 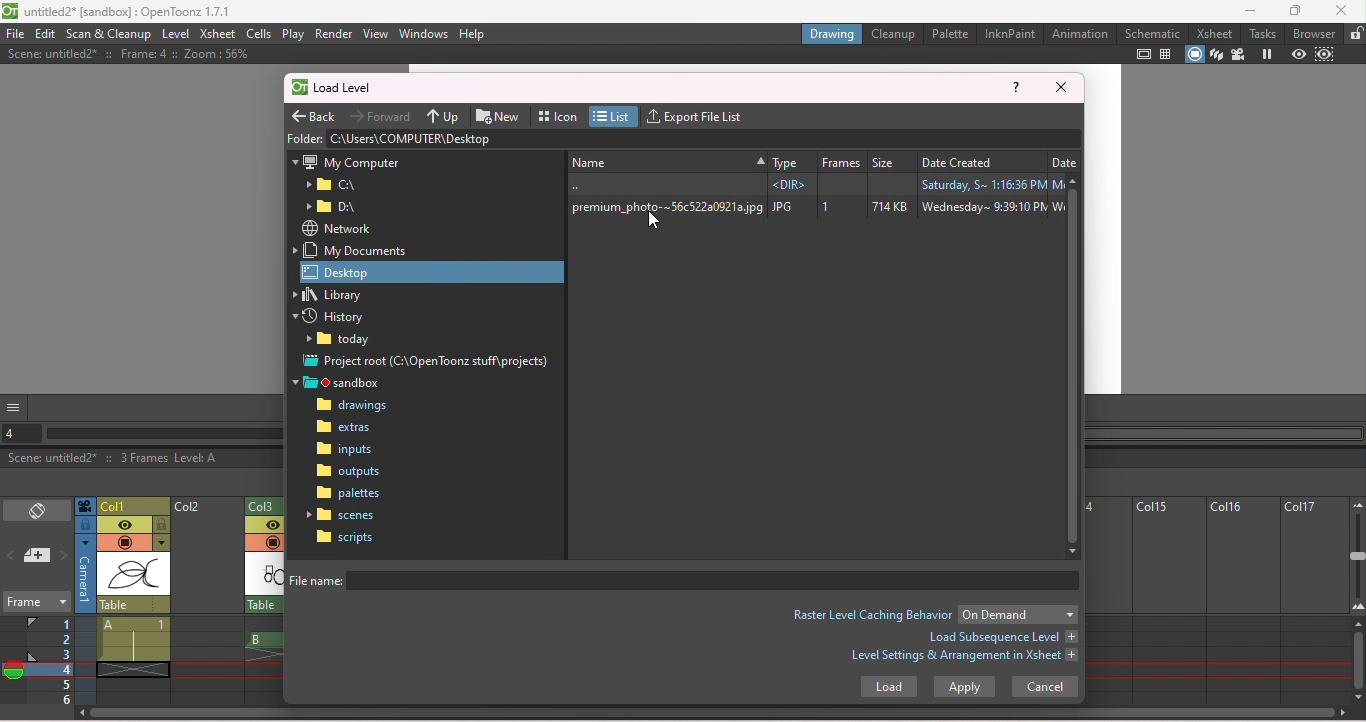 I want to click on Scan & Cleanup, so click(x=110, y=34).